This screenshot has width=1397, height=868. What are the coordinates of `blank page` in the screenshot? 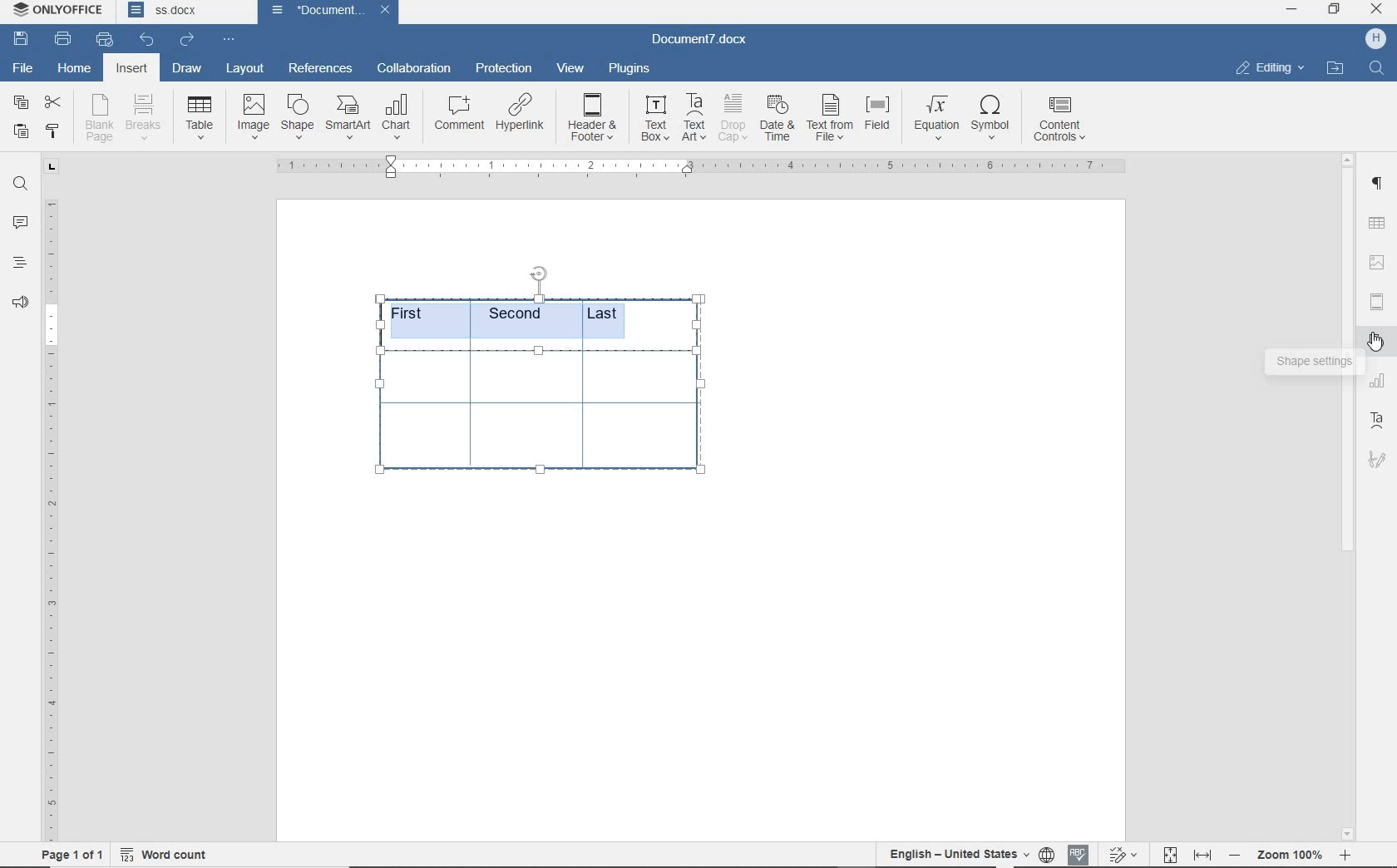 It's located at (100, 121).